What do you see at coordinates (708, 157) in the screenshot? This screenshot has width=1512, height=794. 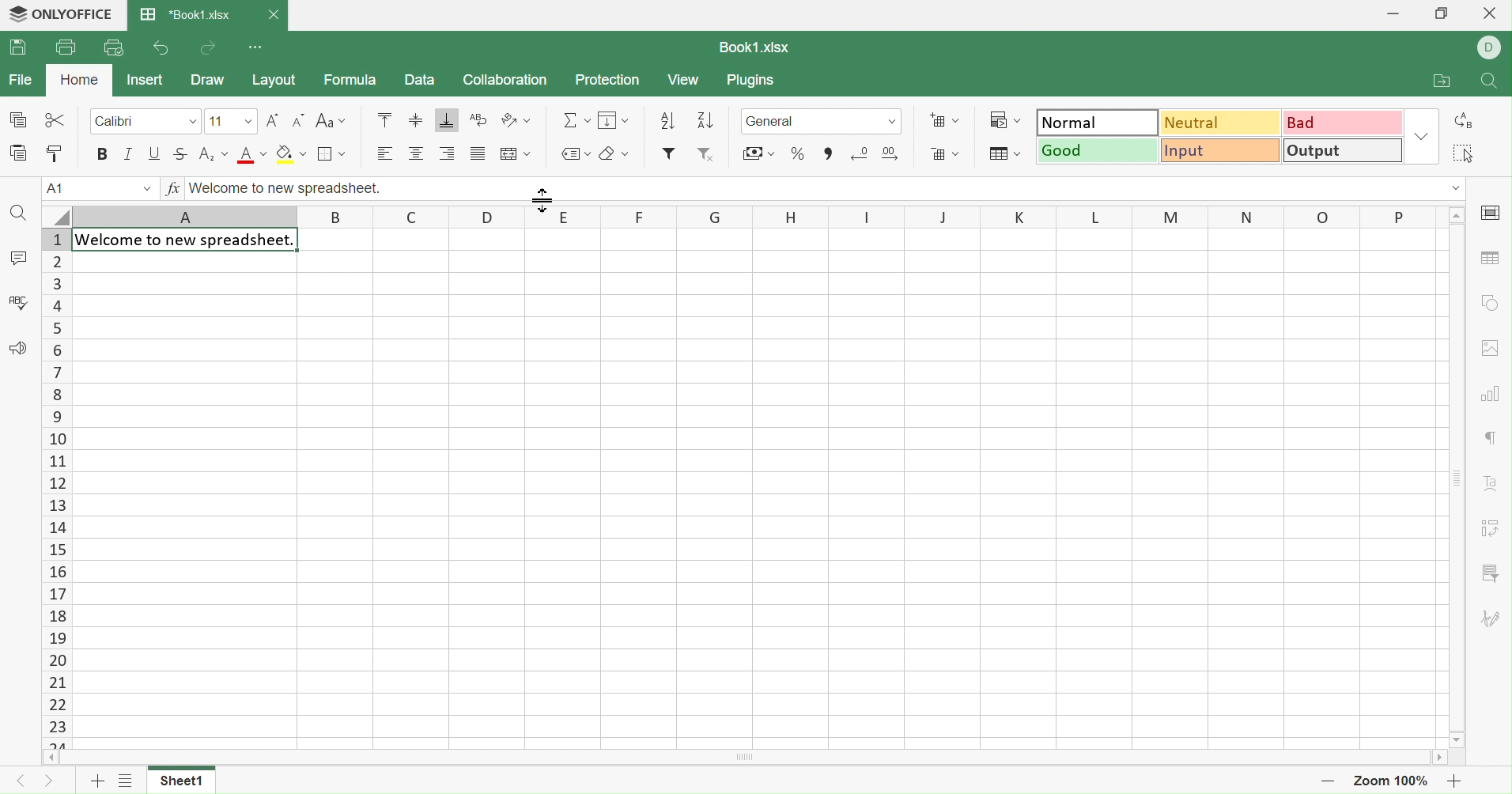 I see `Remove style` at bounding box center [708, 157].